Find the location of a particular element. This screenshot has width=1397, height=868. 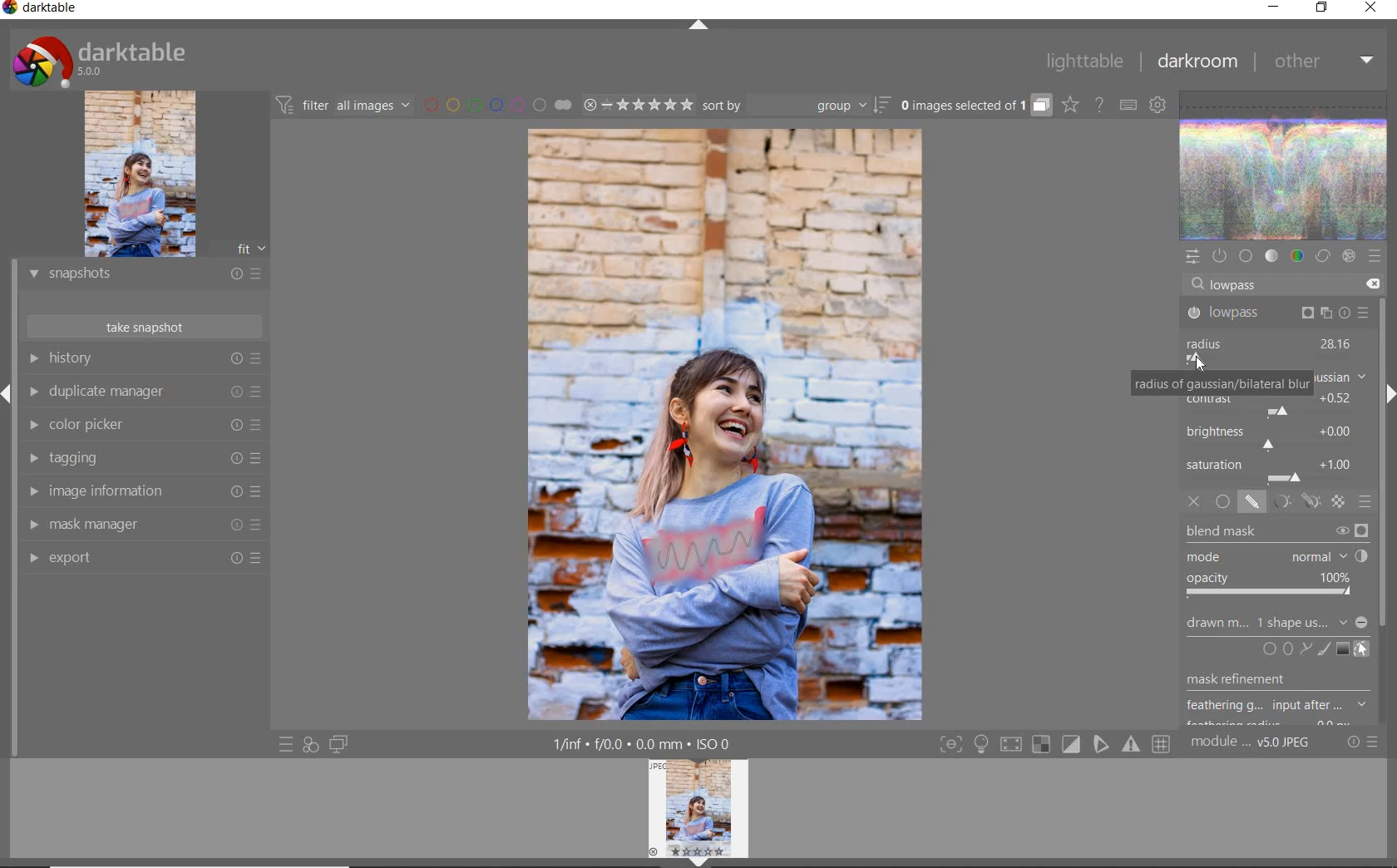

image preview is located at coordinates (703, 812).